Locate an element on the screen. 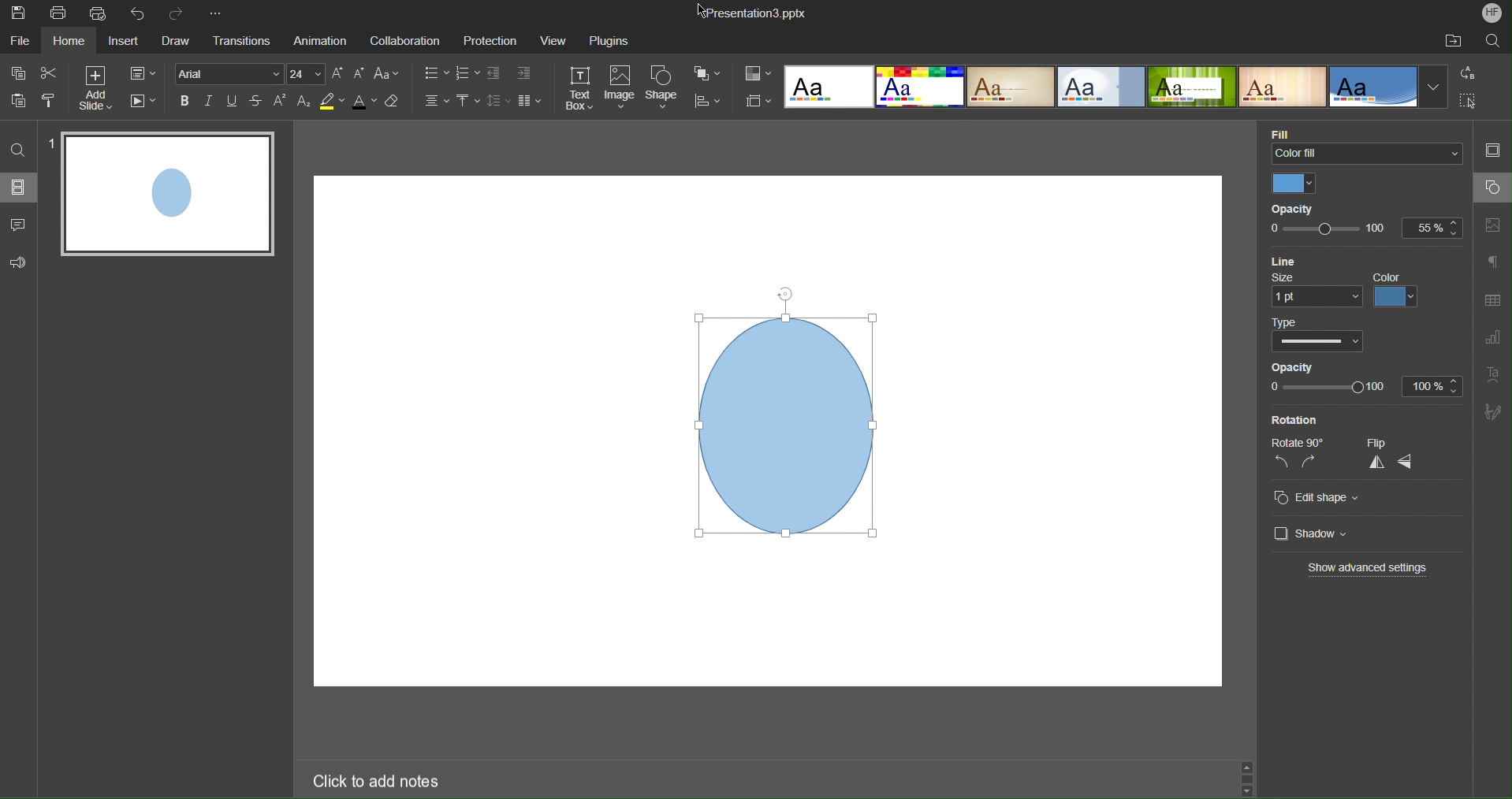 Image resolution: width=1512 pixels, height=799 pixels. Vertical Align is located at coordinates (467, 102).